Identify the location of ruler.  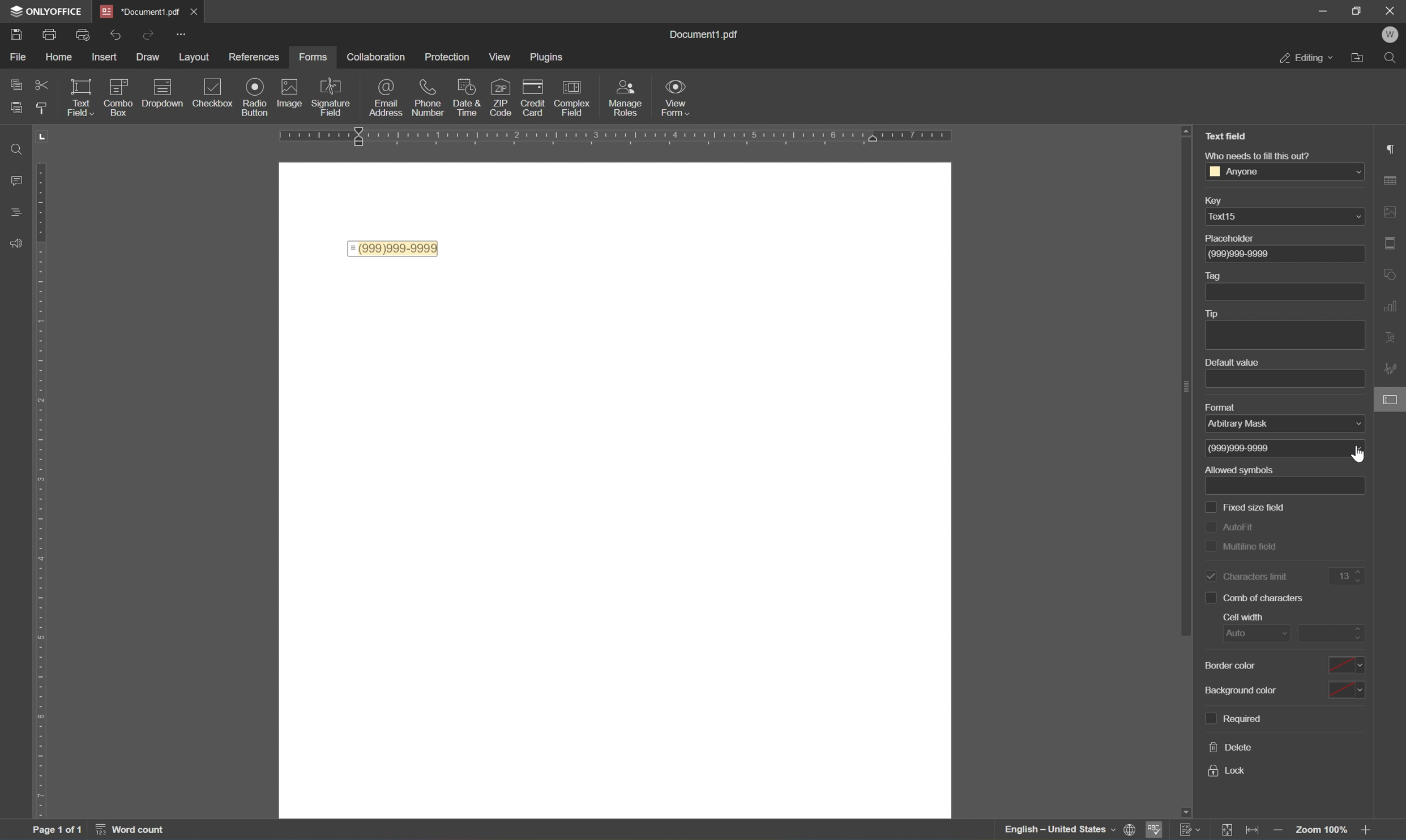
(46, 473).